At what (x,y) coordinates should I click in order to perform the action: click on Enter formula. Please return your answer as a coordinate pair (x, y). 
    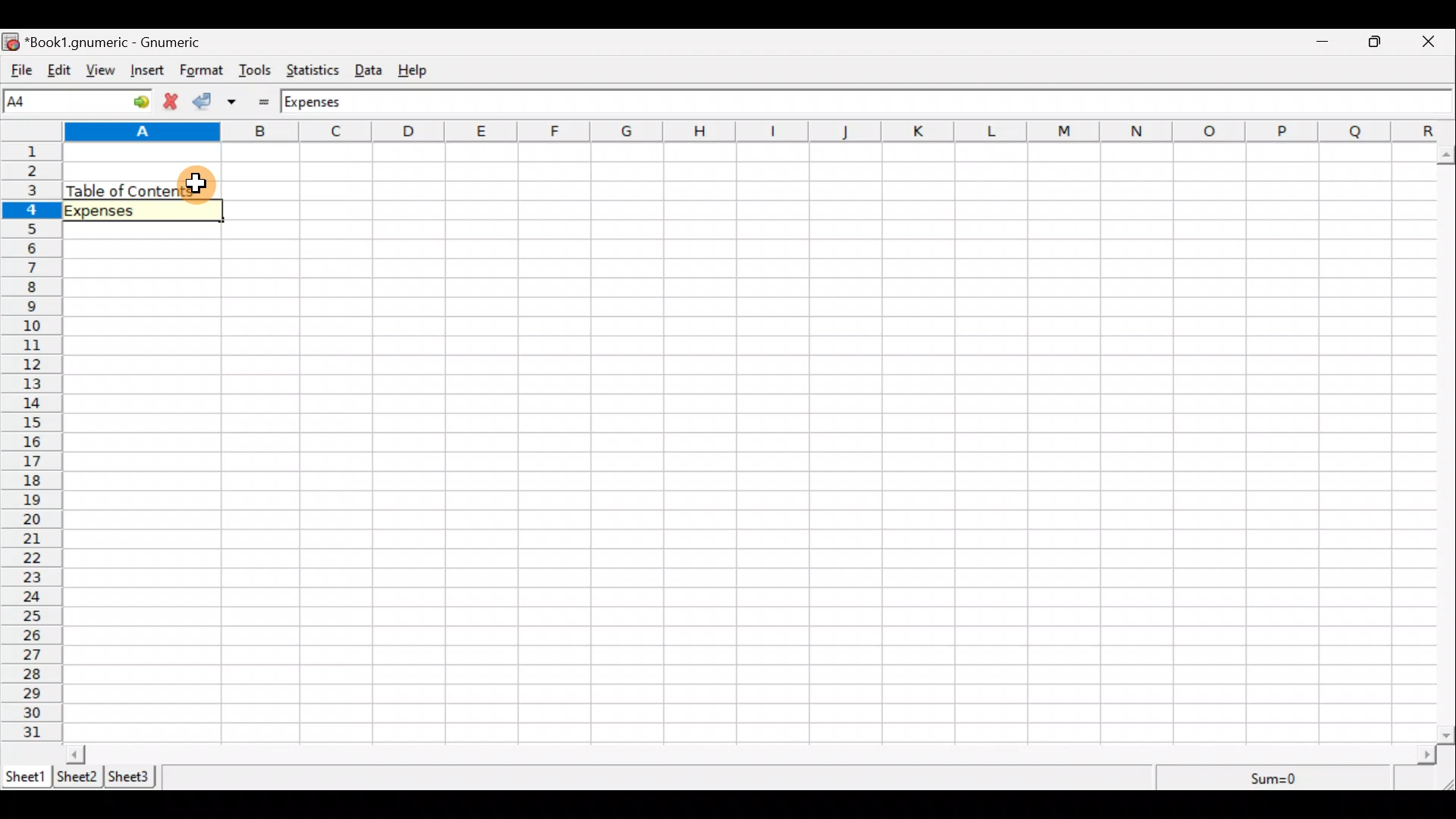
    Looking at the image, I should click on (267, 102).